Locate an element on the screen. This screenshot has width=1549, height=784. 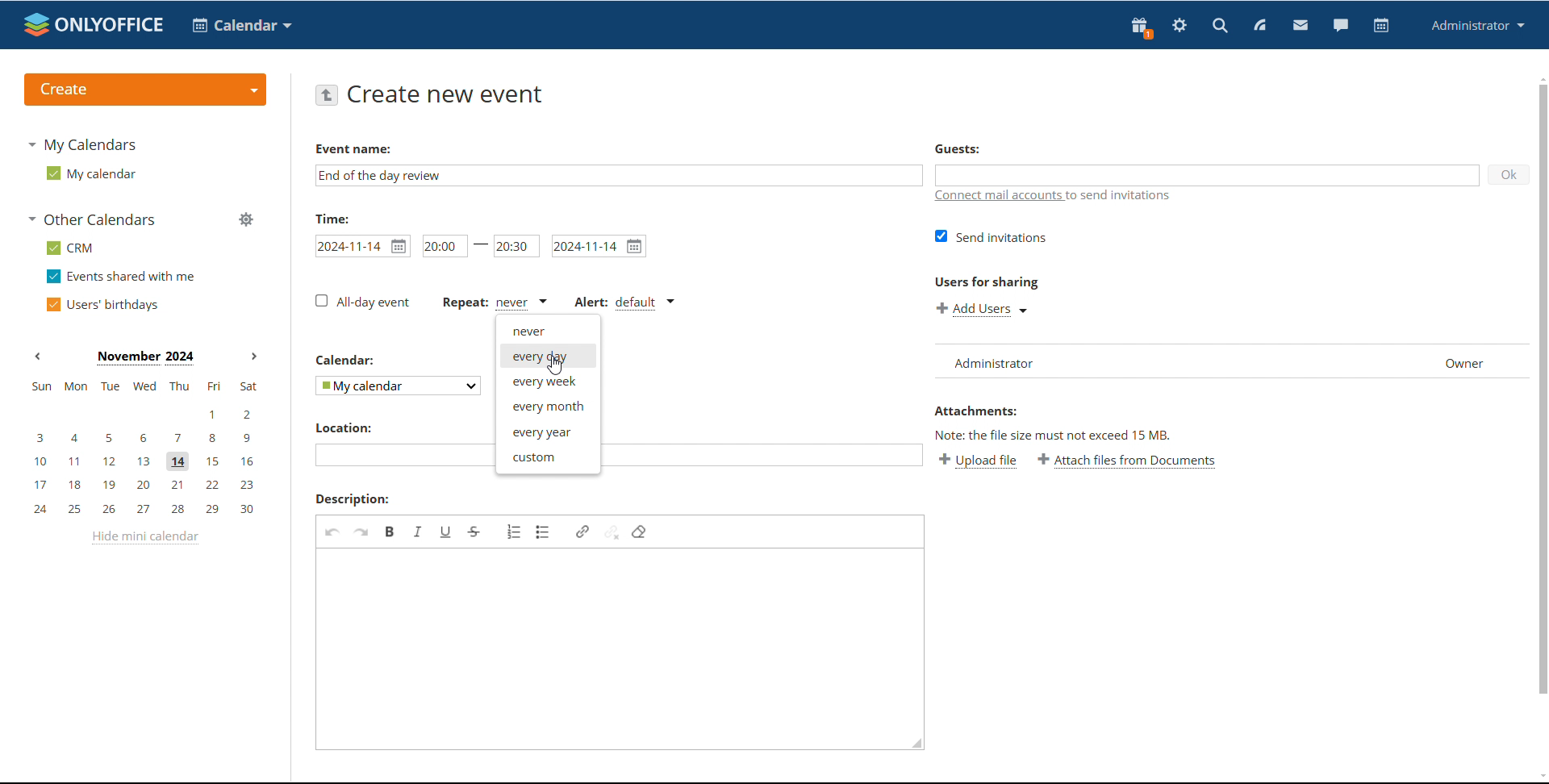
ok is located at coordinates (1508, 174).